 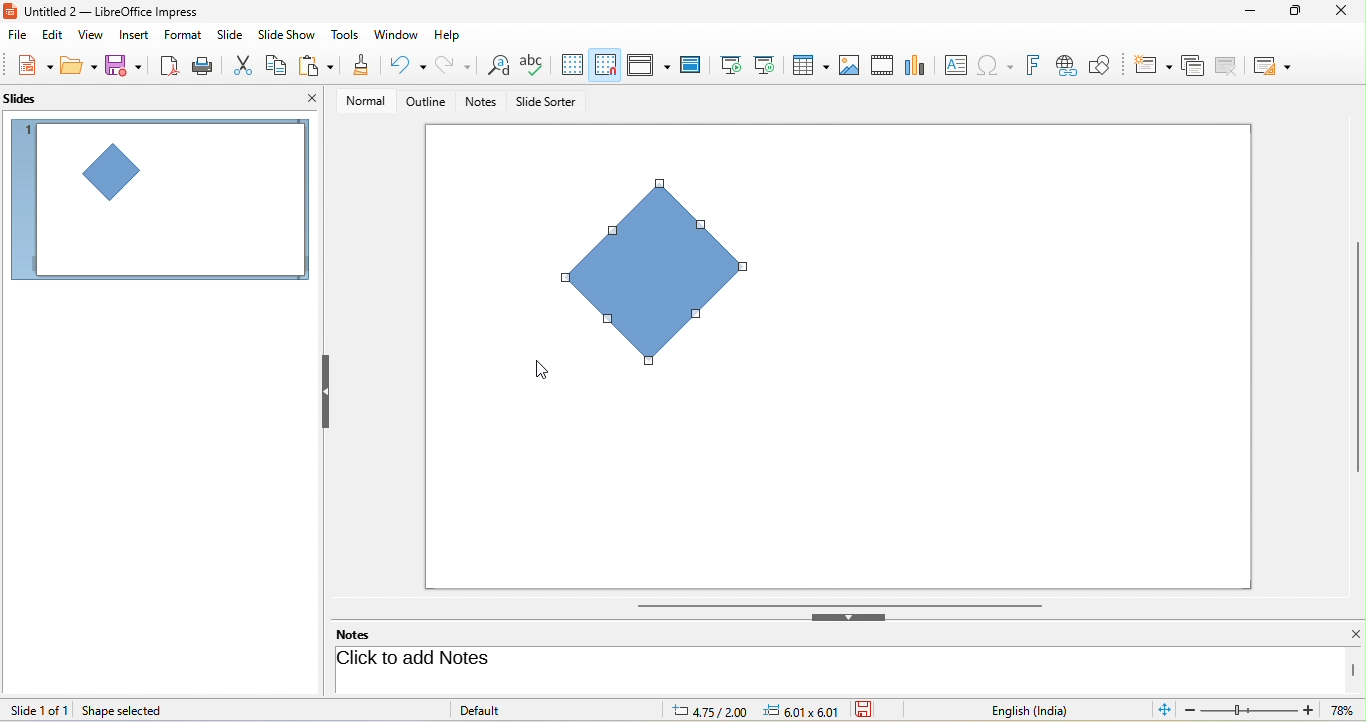 What do you see at coordinates (88, 34) in the screenshot?
I see `view` at bounding box center [88, 34].